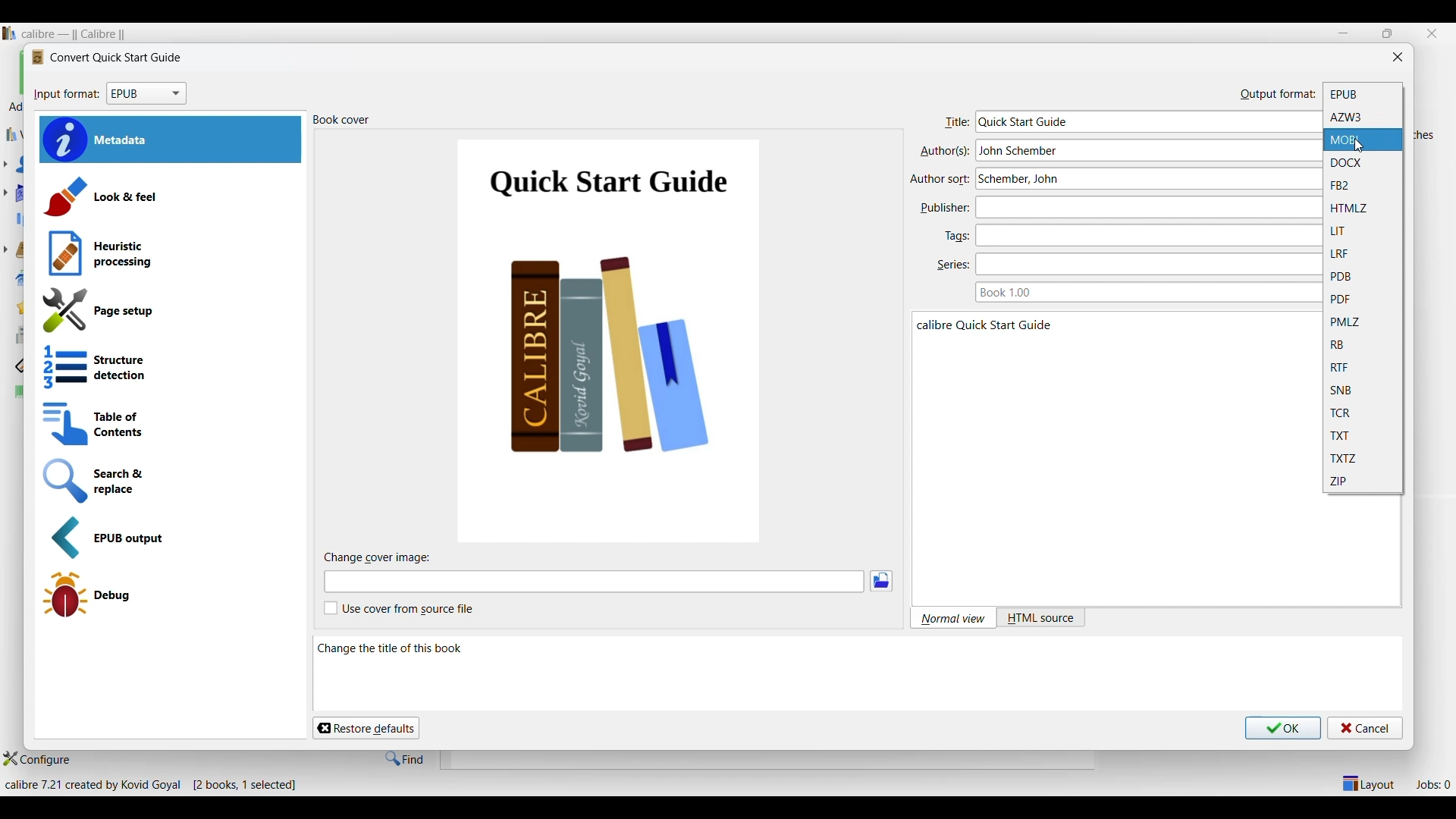 Image resolution: width=1456 pixels, height=819 pixels. I want to click on Browse image, so click(881, 581).